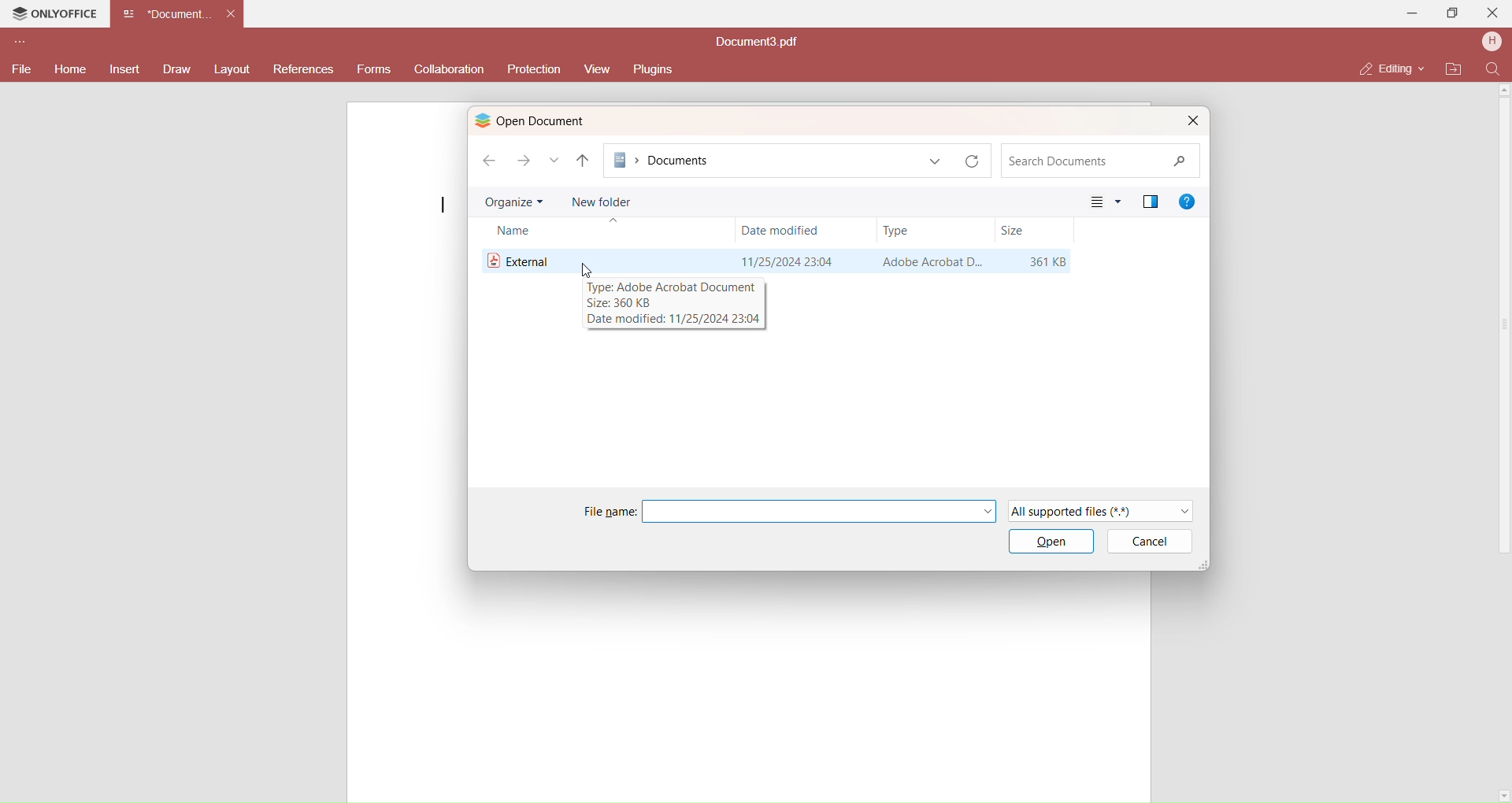 This screenshot has height=803, width=1512. What do you see at coordinates (1014, 231) in the screenshot?
I see `Size` at bounding box center [1014, 231].